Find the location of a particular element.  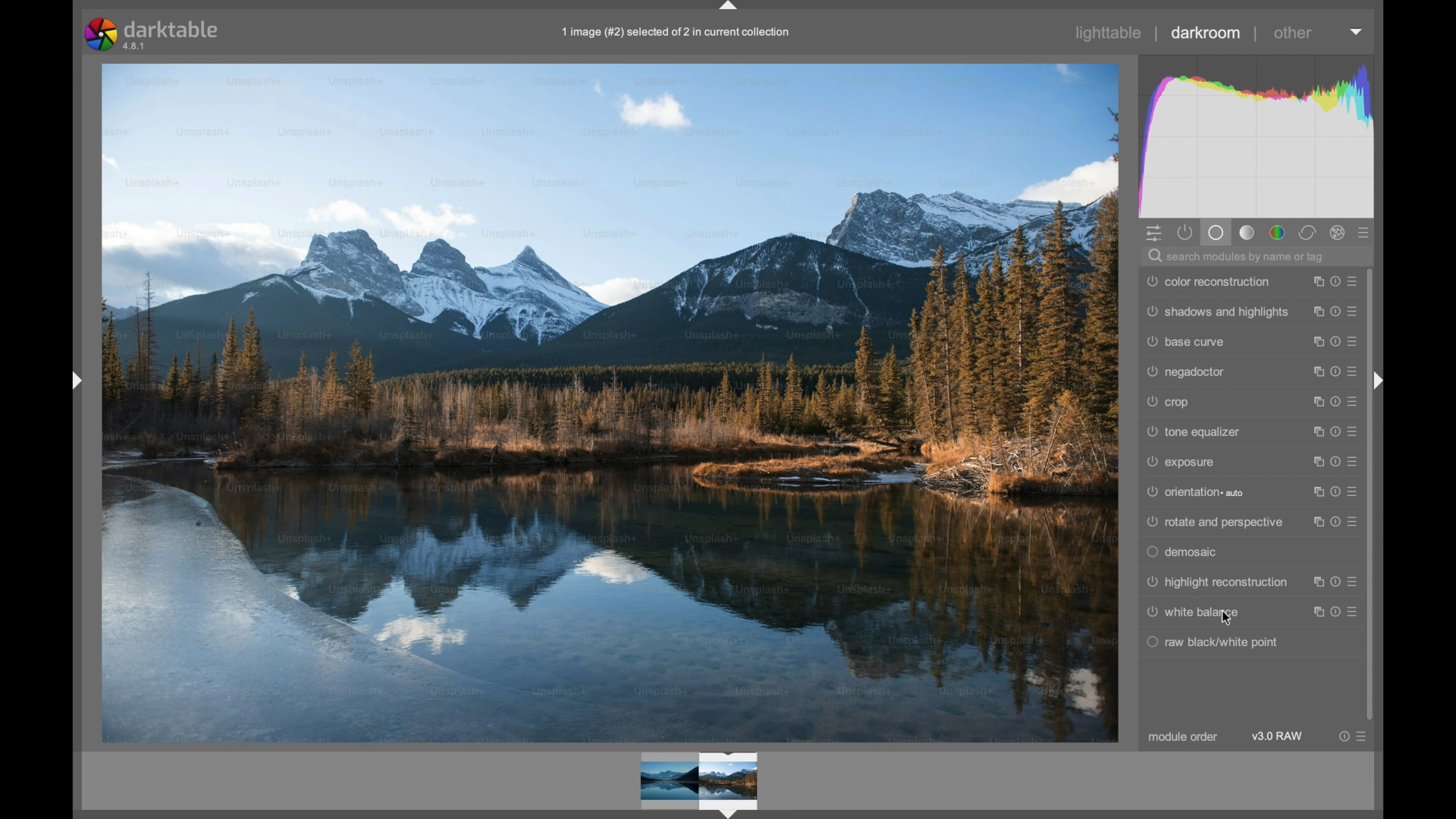

presets is located at coordinates (1357, 611).